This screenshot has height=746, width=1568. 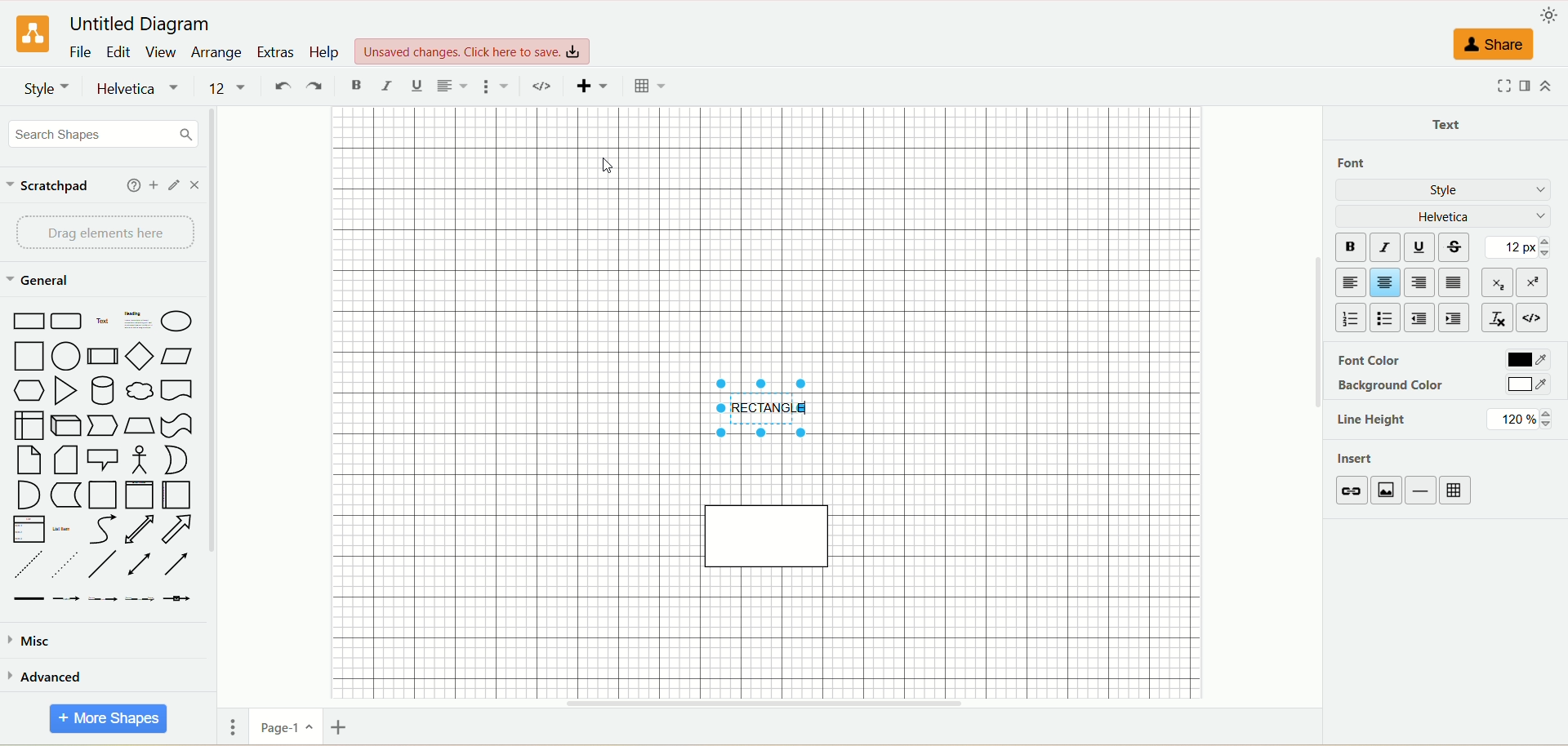 What do you see at coordinates (1539, 317) in the screenshot?
I see `HTML` at bounding box center [1539, 317].